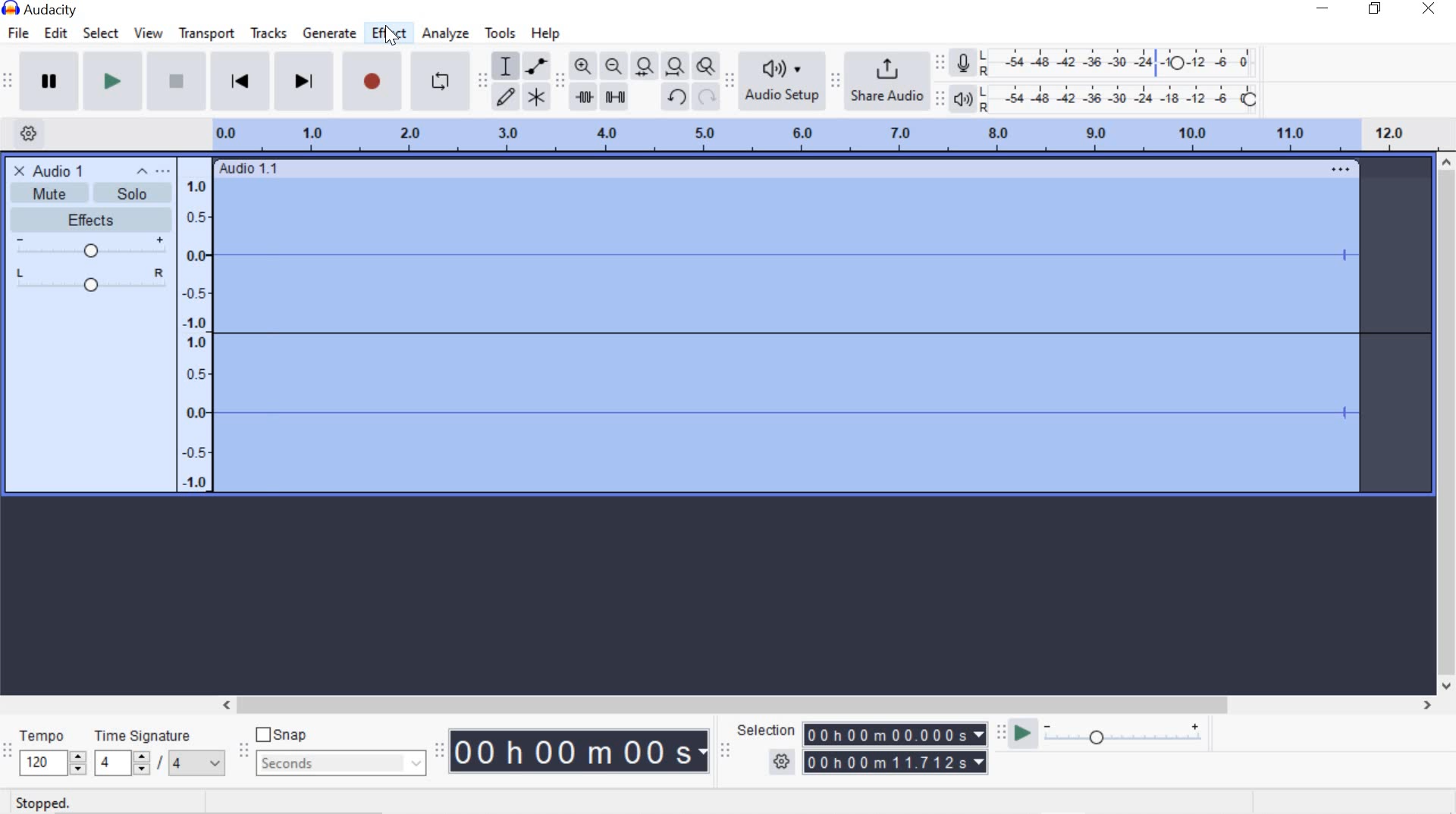 Image resolution: width=1456 pixels, height=814 pixels. Describe the element at coordinates (10, 82) in the screenshot. I see `Transport Toolbar` at that location.